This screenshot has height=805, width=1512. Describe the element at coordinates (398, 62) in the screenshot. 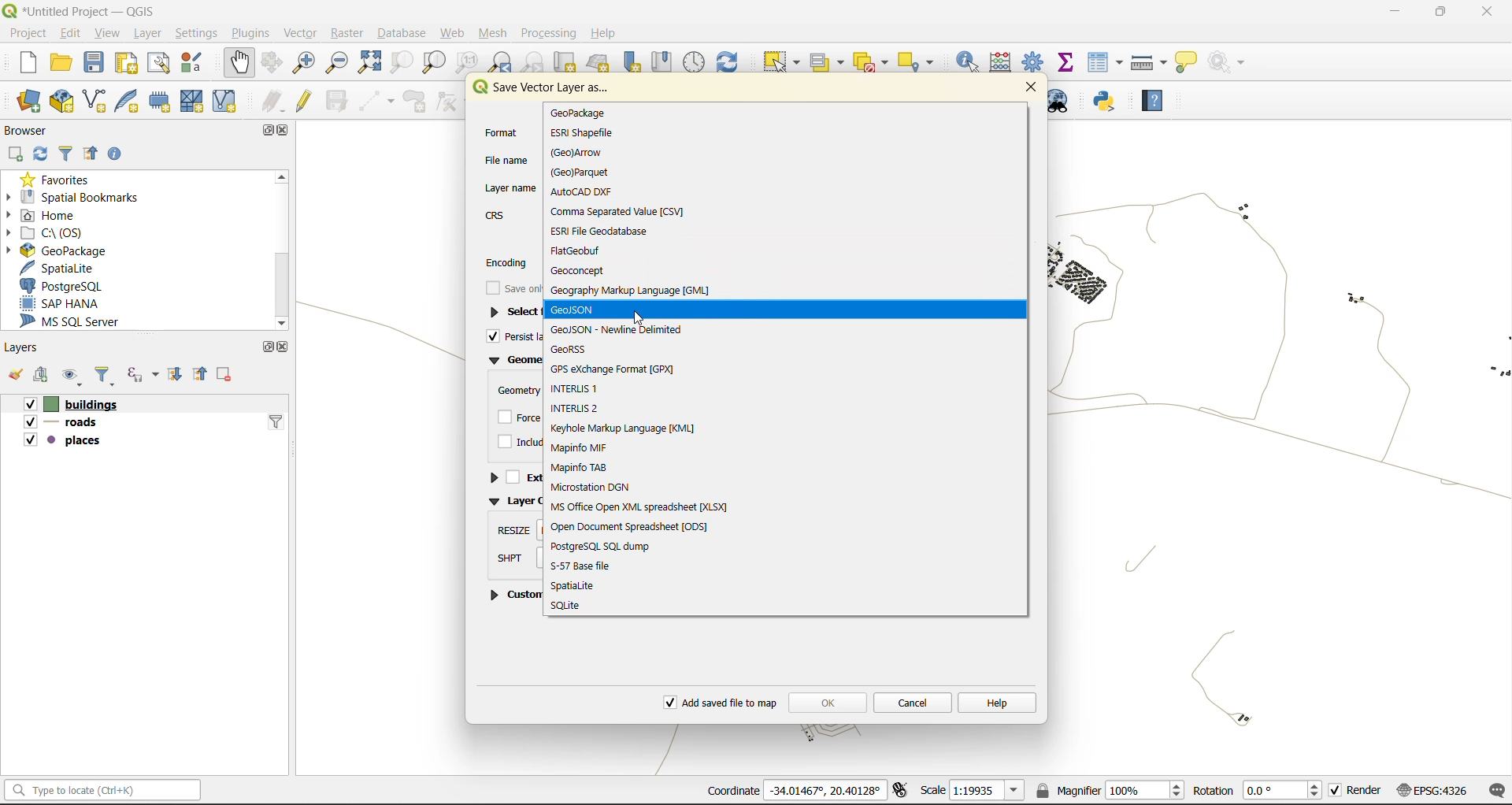

I see `zoom selection` at that location.